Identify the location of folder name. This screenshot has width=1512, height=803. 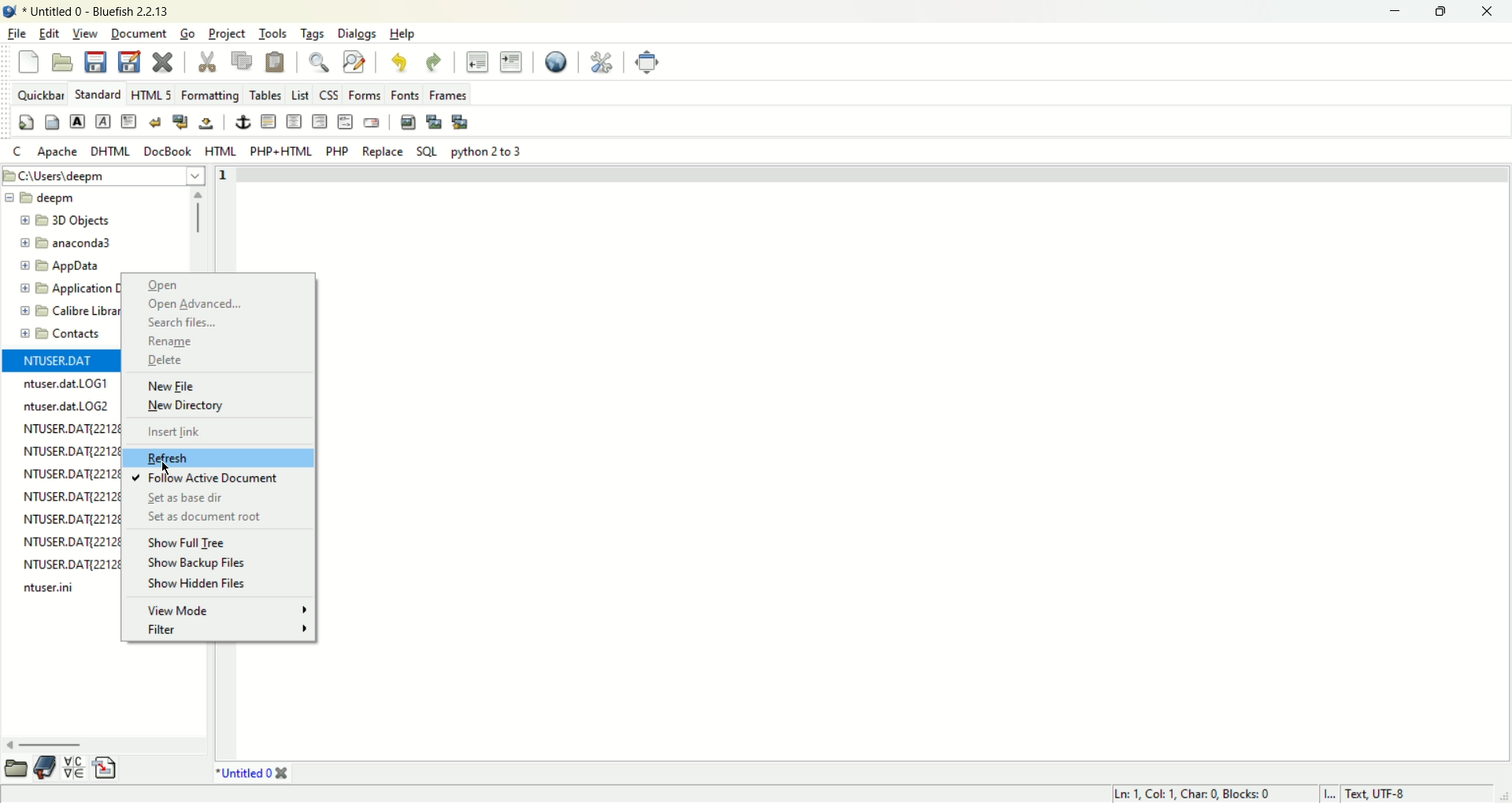
(65, 335).